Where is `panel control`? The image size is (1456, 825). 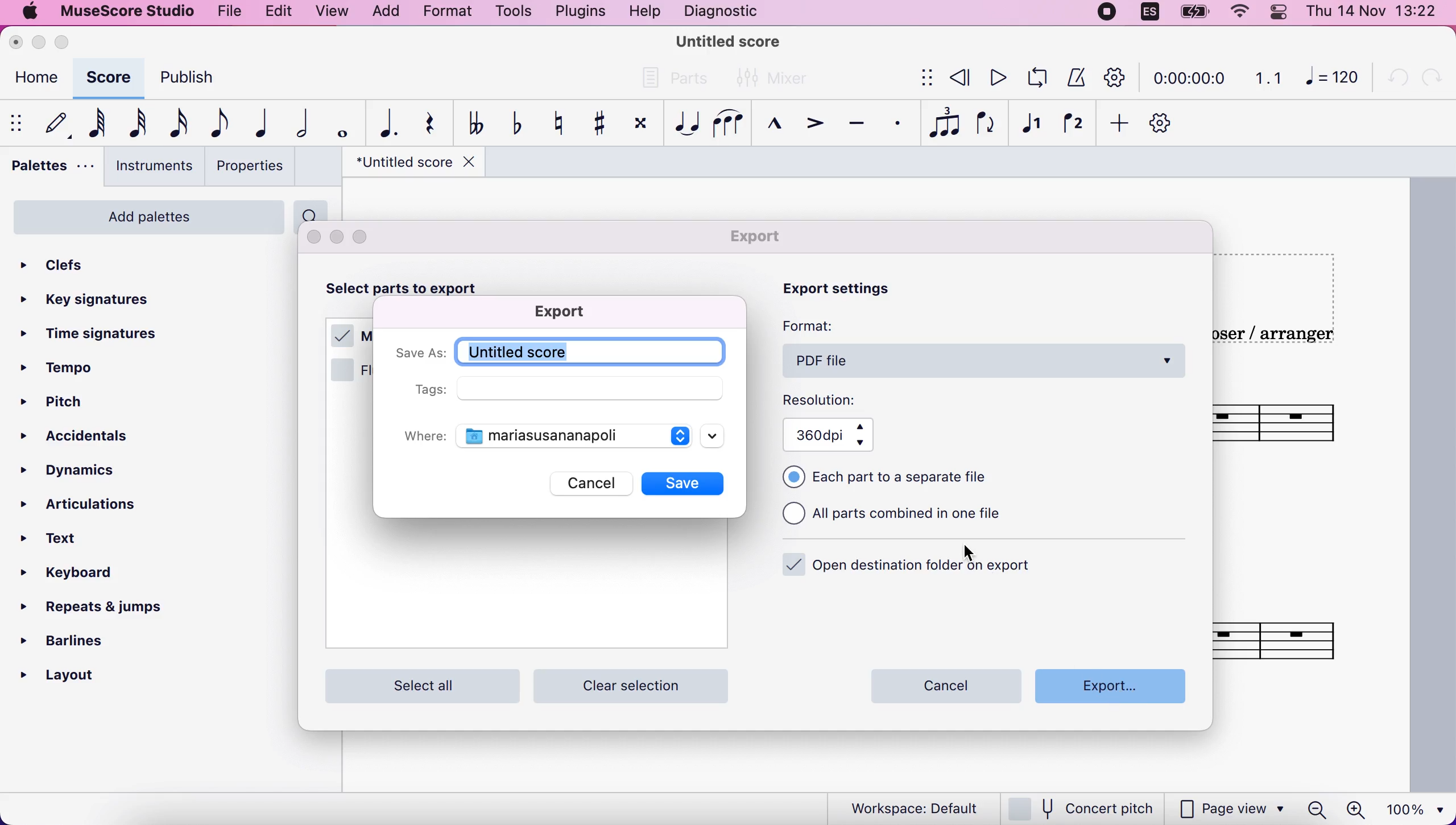
panel control is located at coordinates (1280, 14).